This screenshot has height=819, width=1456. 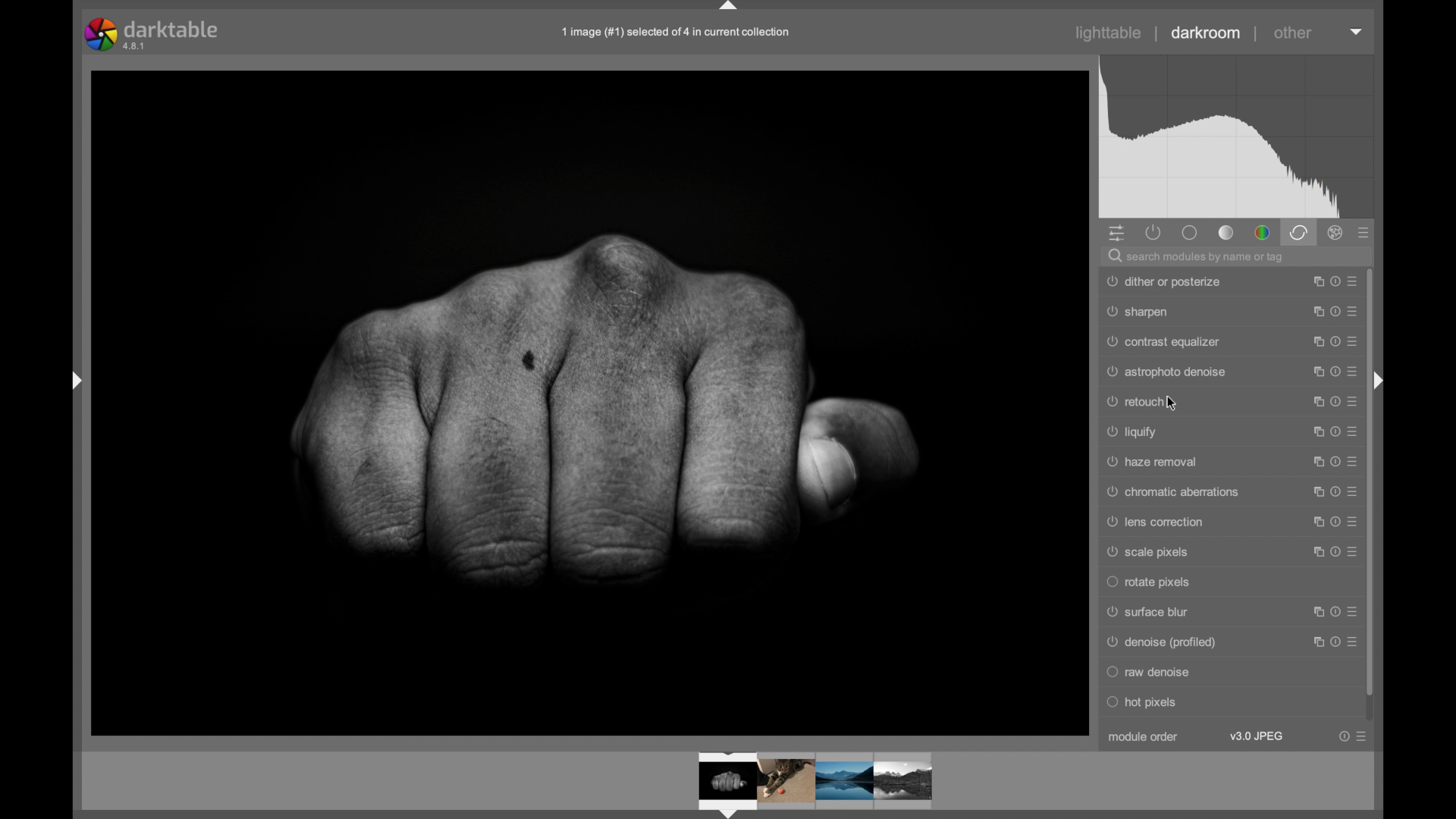 What do you see at coordinates (1262, 234) in the screenshot?
I see `color` at bounding box center [1262, 234].